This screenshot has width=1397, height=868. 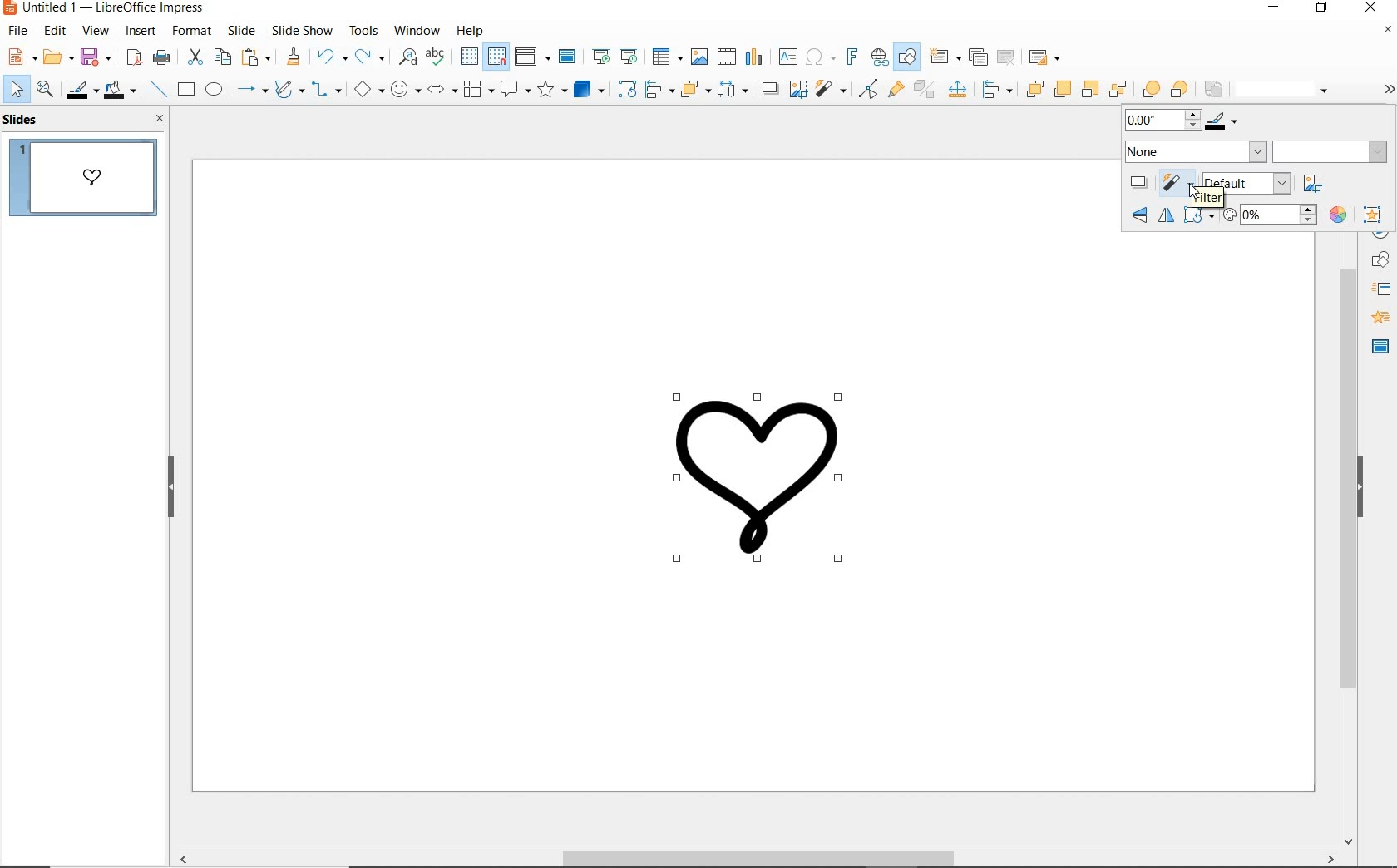 I want to click on window, so click(x=416, y=31).